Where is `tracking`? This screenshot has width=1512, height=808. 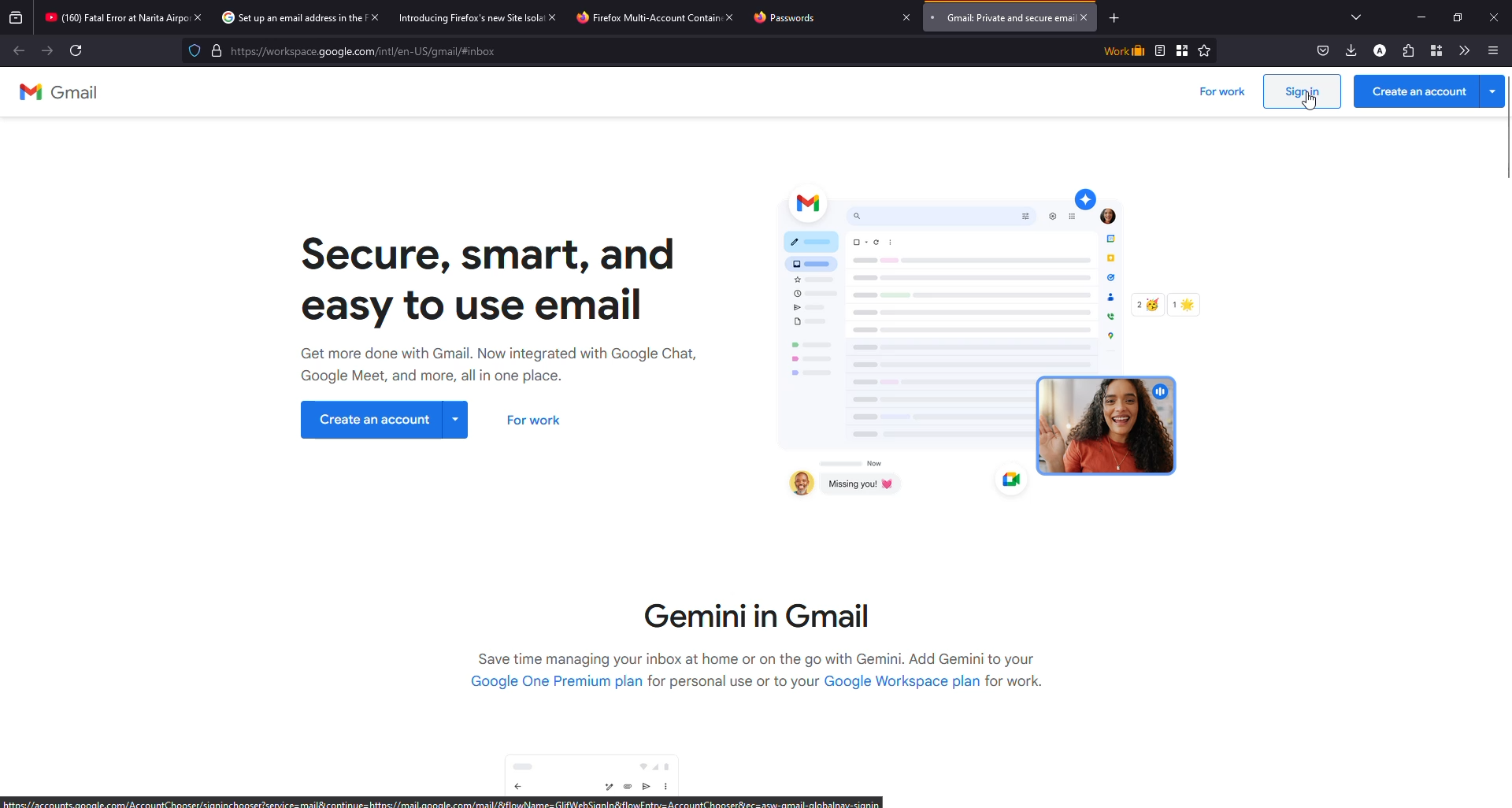 tracking is located at coordinates (191, 53).